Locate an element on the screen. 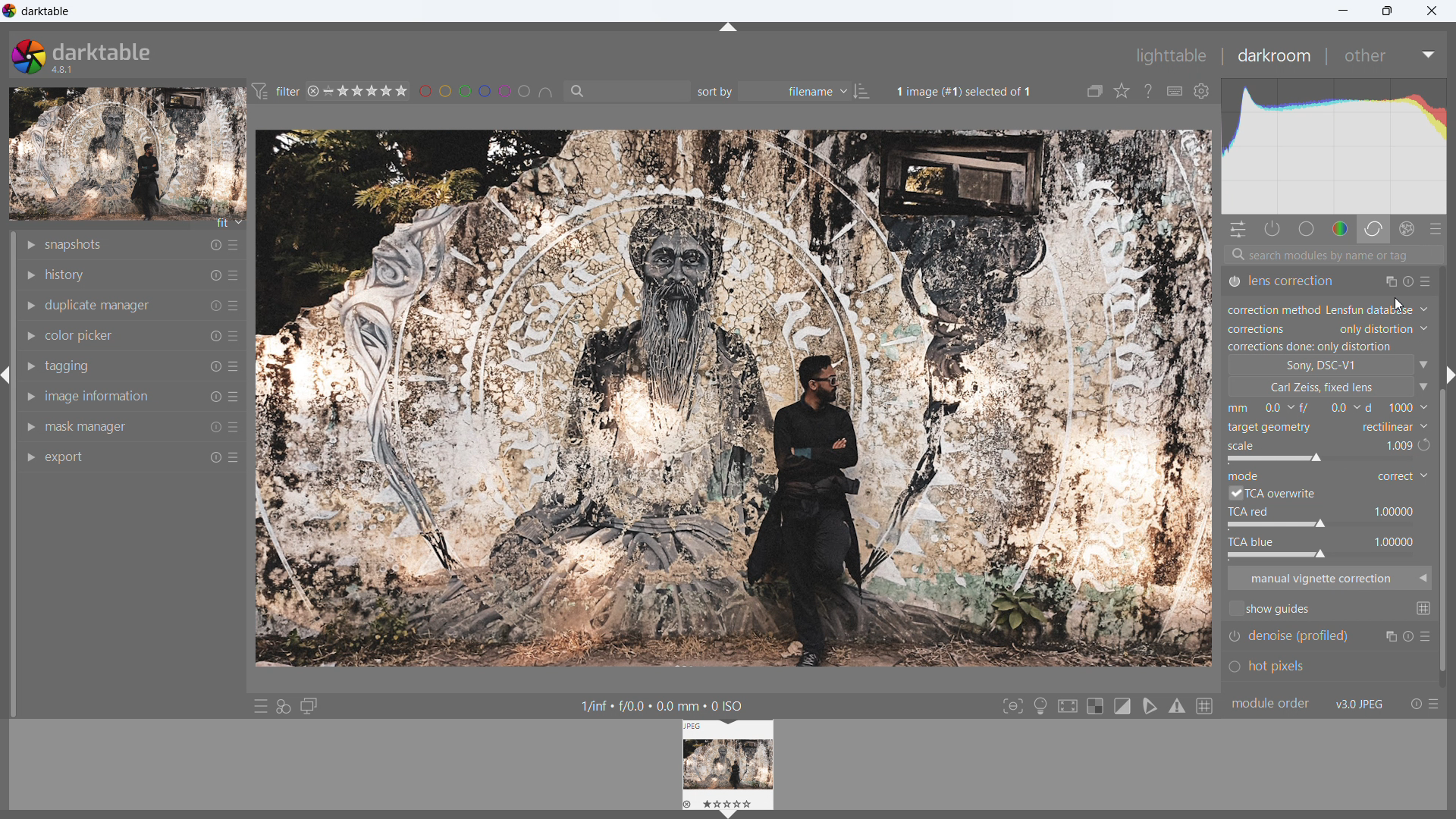  mask manager is located at coordinates (86, 427).